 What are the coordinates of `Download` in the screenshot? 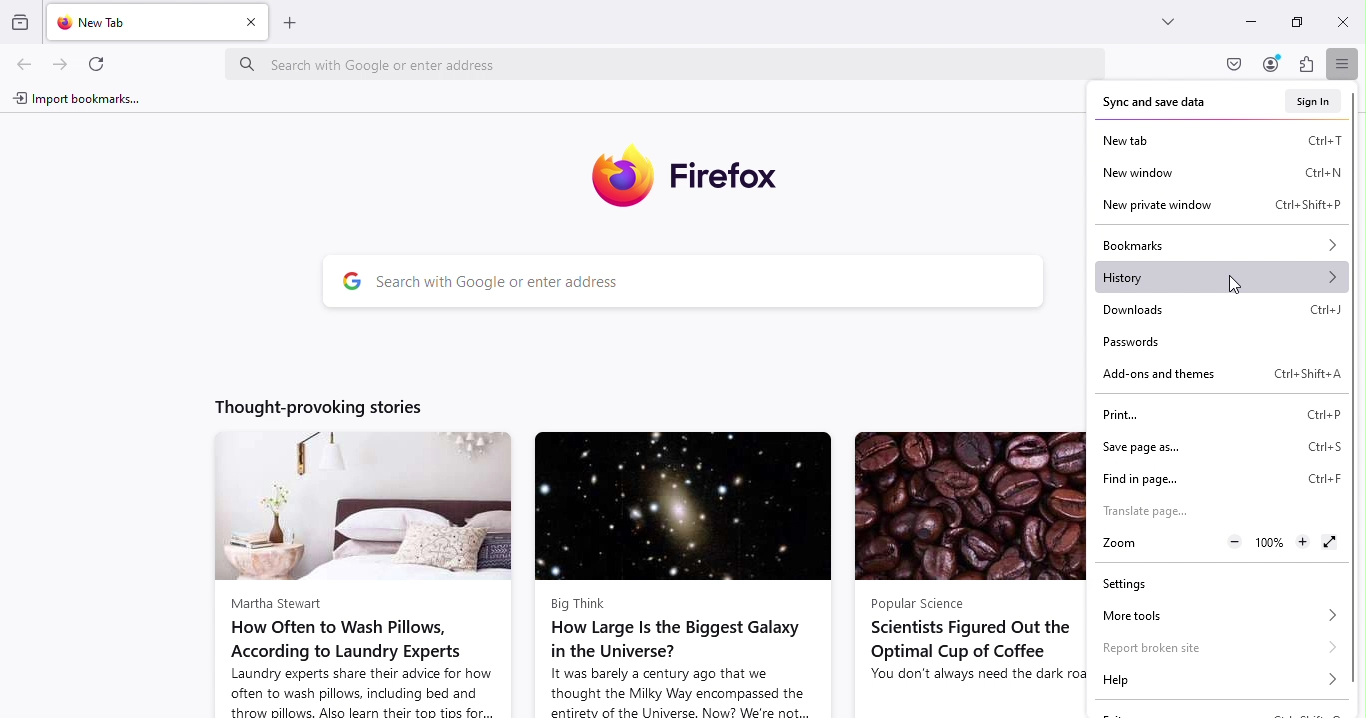 It's located at (1221, 311).